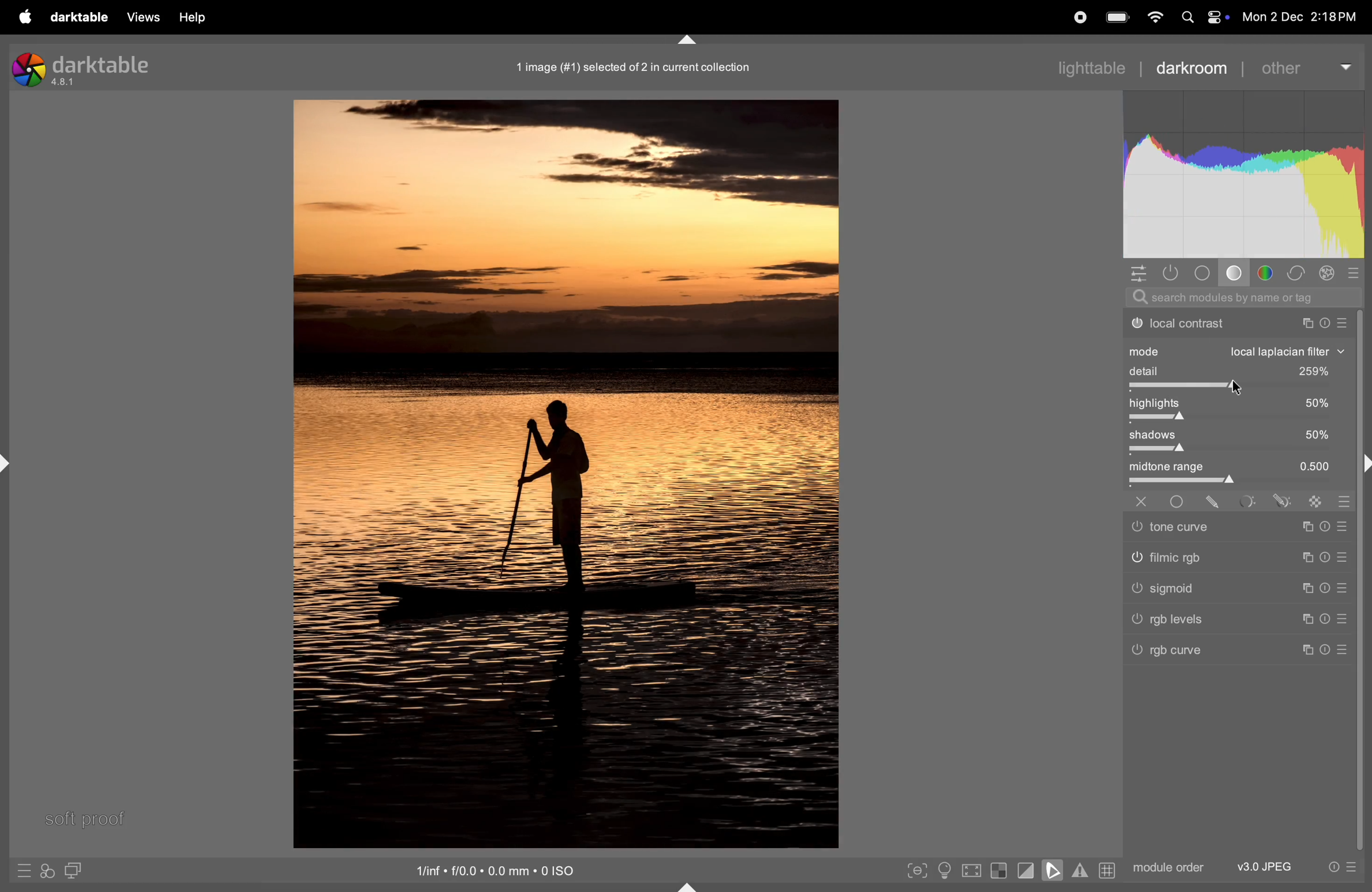 This screenshot has height=892, width=1372. Describe the element at coordinates (79, 17) in the screenshot. I see `darktable` at that location.